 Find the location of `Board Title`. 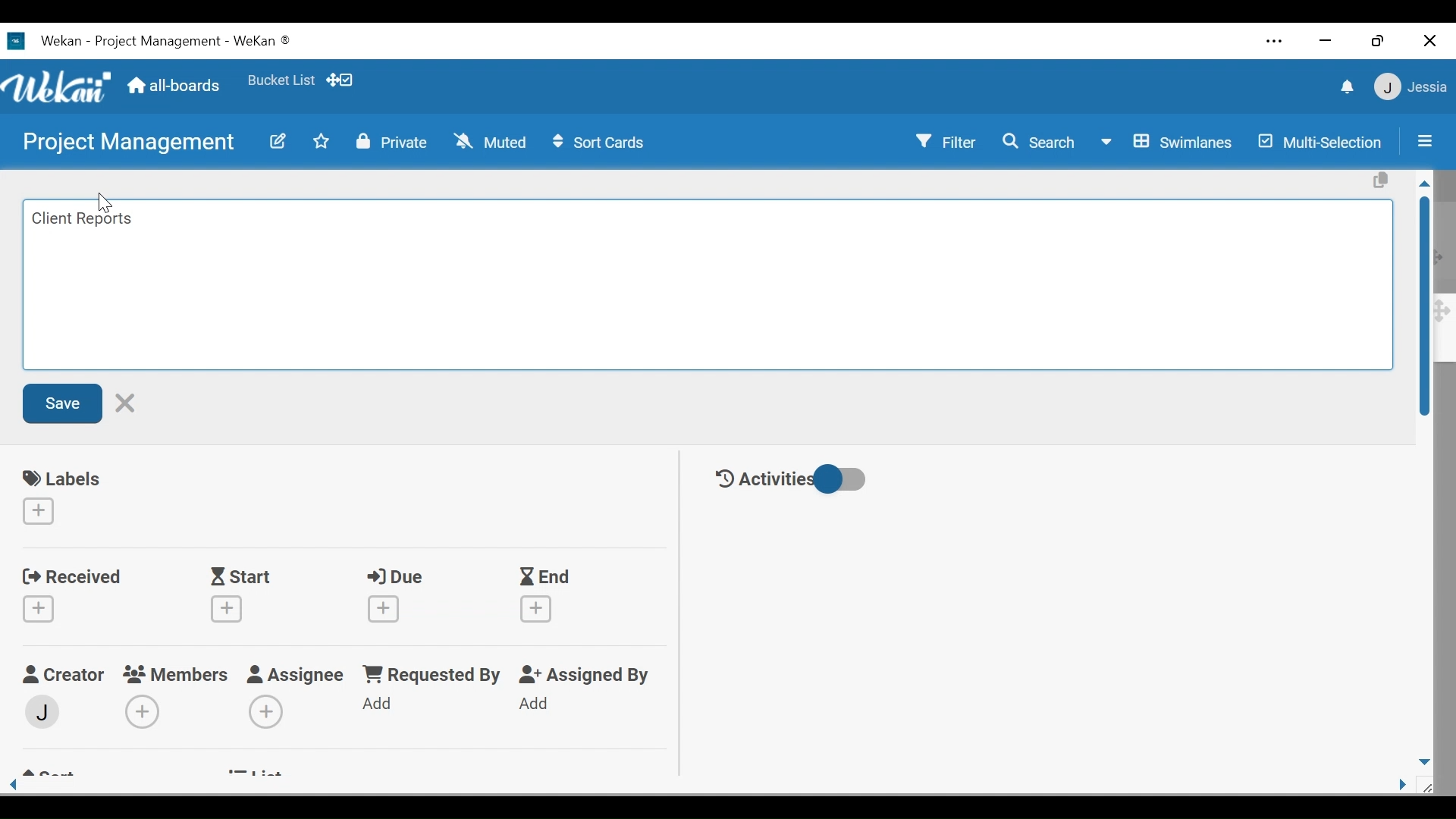

Board Title is located at coordinates (129, 145).